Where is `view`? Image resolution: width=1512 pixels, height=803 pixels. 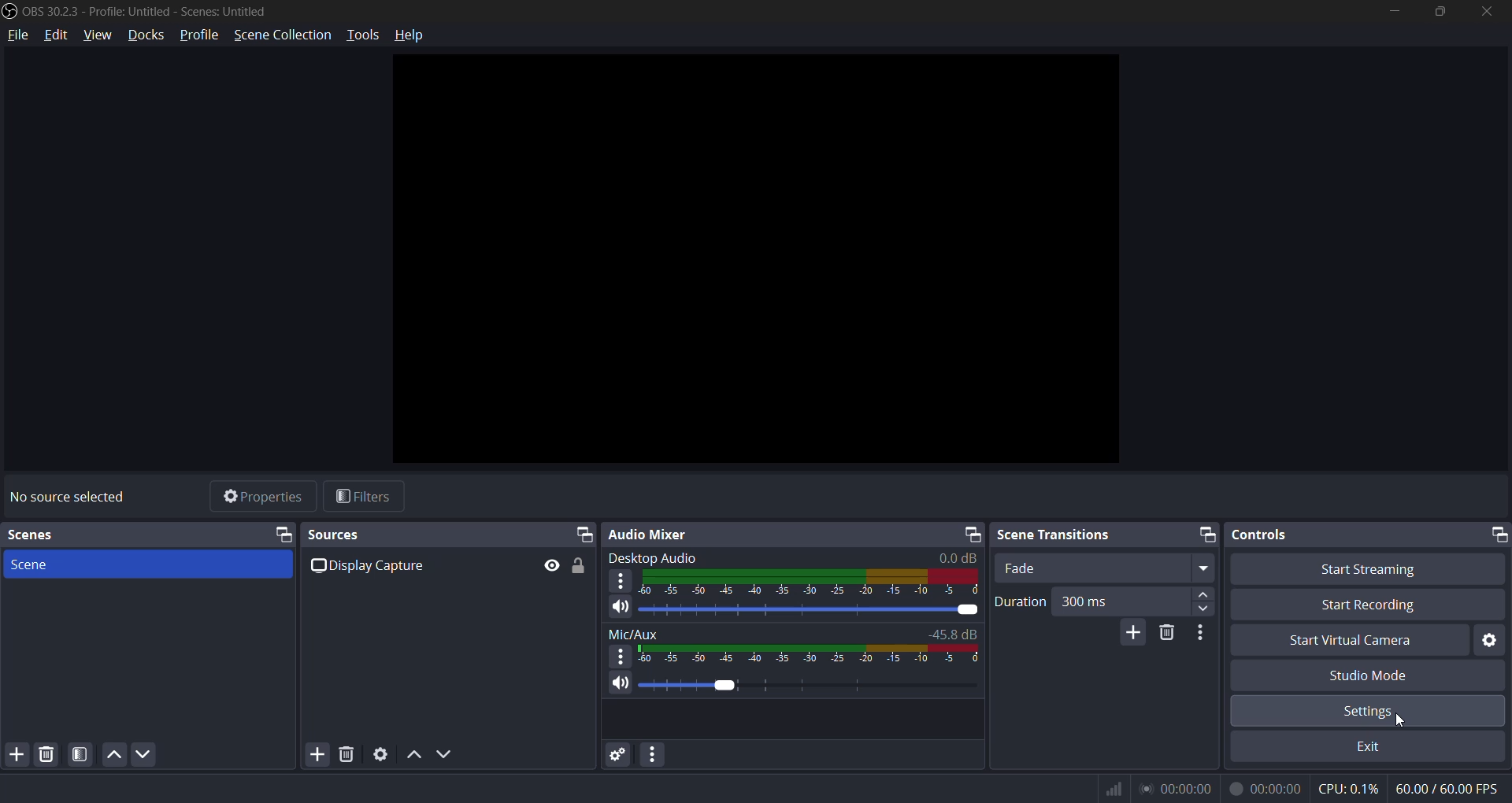
view is located at coordinates (98, 35).